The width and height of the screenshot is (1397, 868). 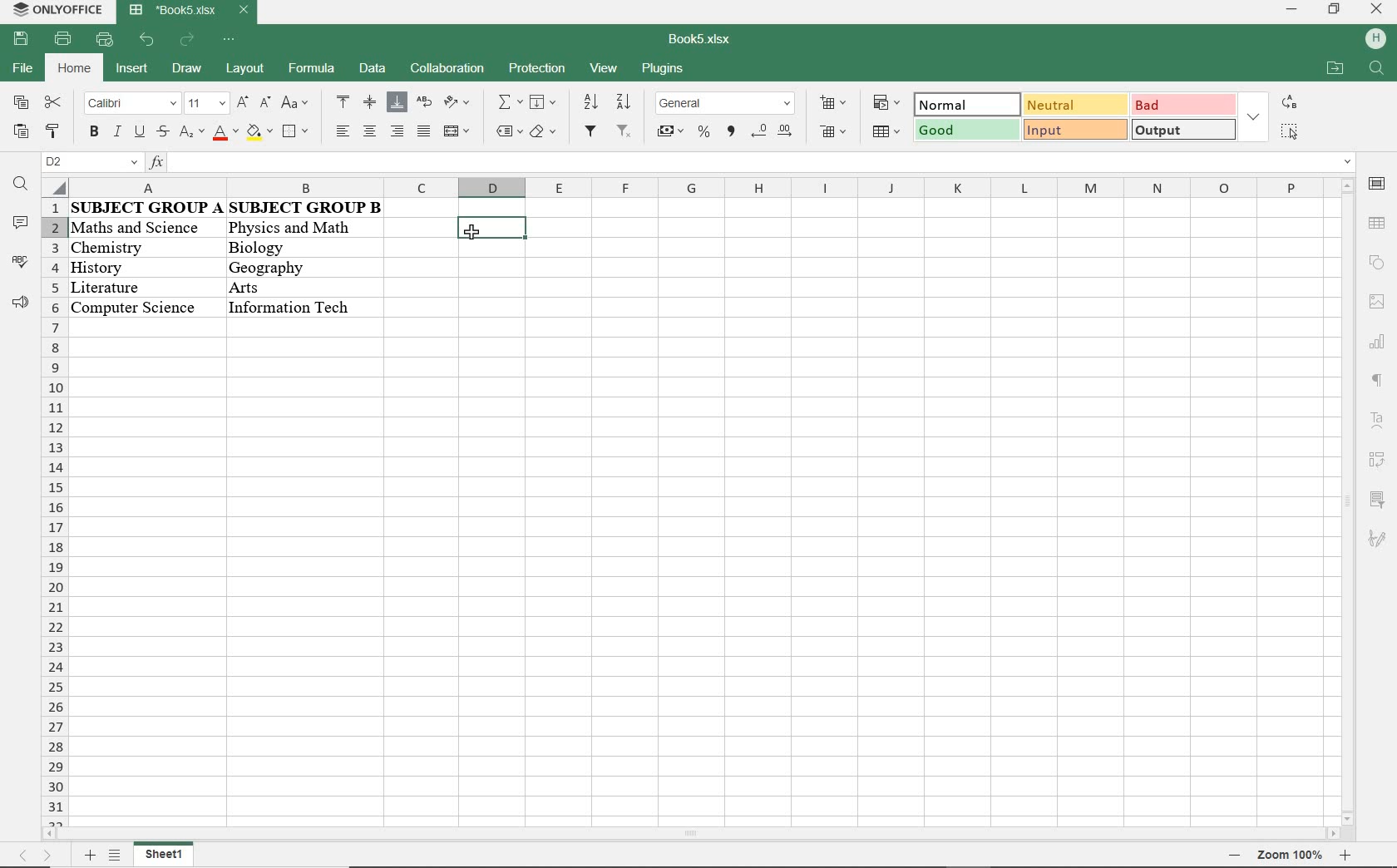 What do you see at coordinates (967, 131) in the screenshot?
I see `good` at bounding box center [967, 131].